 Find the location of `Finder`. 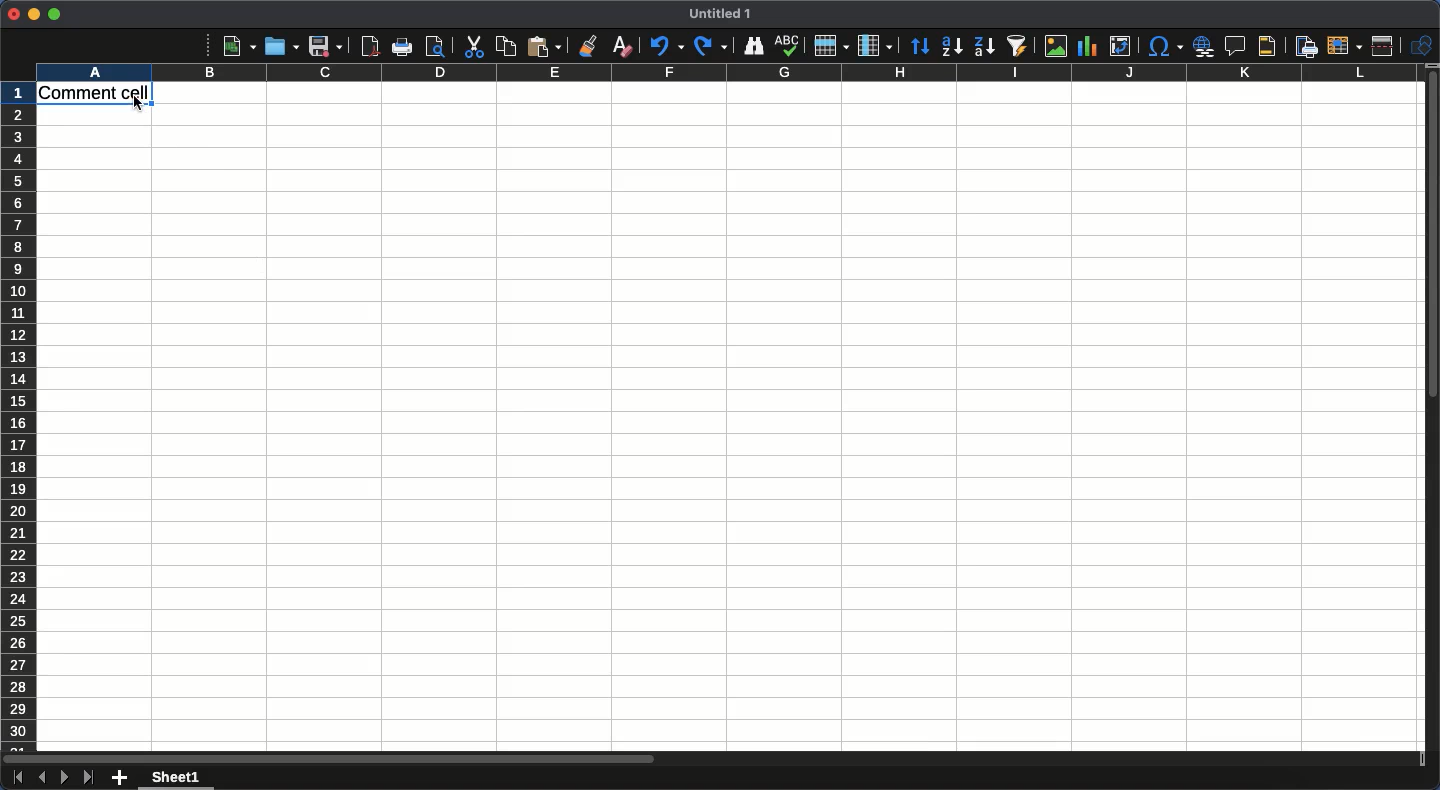

Finder is located at coordinates (755, 45).